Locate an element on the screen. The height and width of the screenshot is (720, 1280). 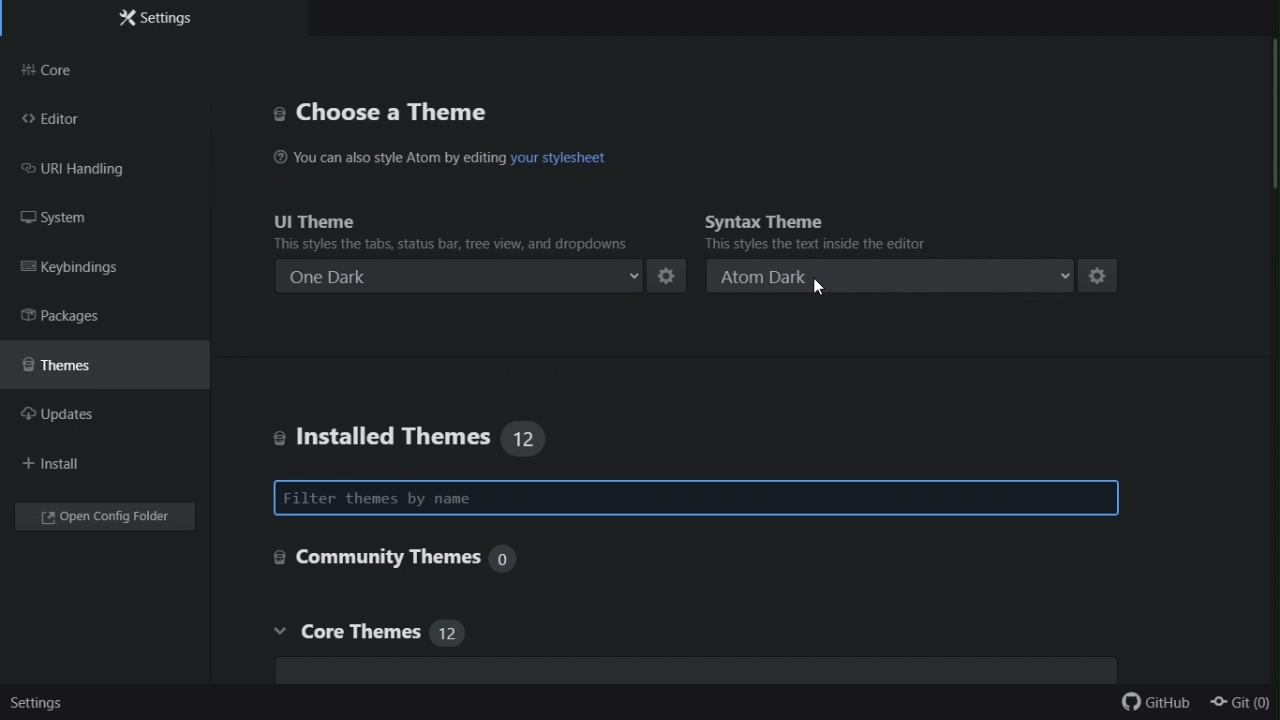
Themes is located at coordinates (83, 371).